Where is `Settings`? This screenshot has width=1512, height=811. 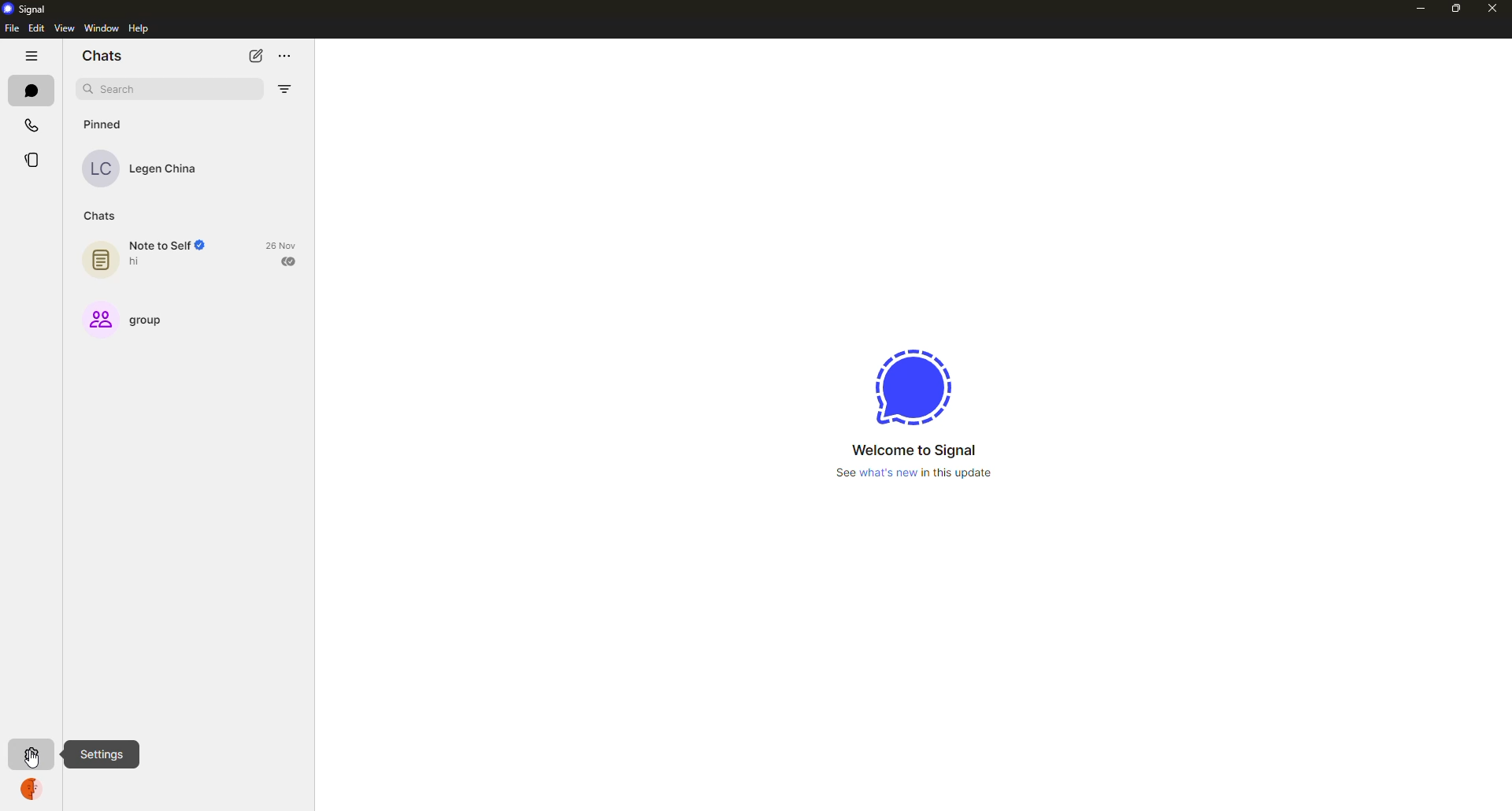
Settings is located at coordinates (106, 754).